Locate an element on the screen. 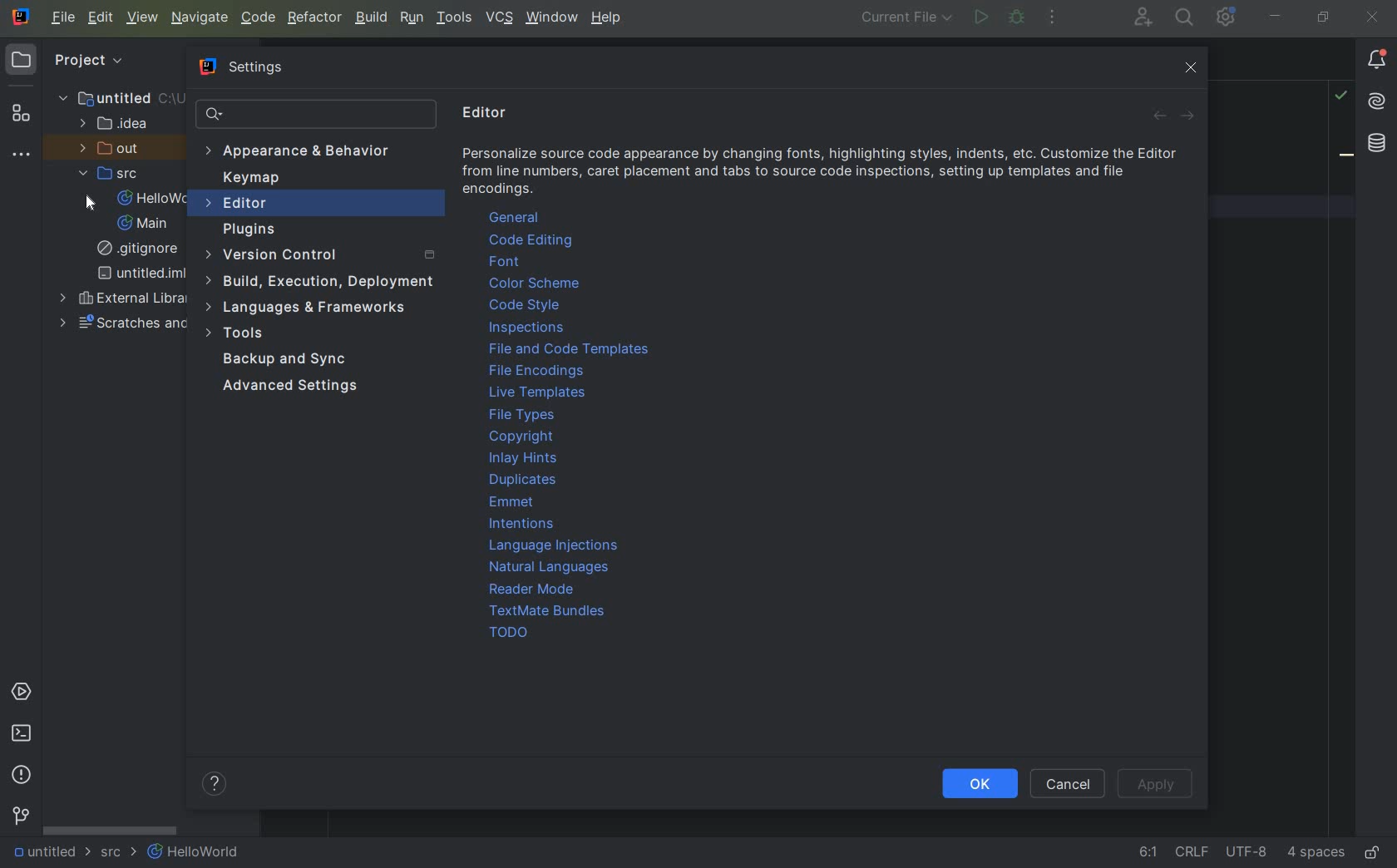 The width and height of the screenshot is (1397, 868). IDE and Project Settings is located at coordinates (1228, 17).